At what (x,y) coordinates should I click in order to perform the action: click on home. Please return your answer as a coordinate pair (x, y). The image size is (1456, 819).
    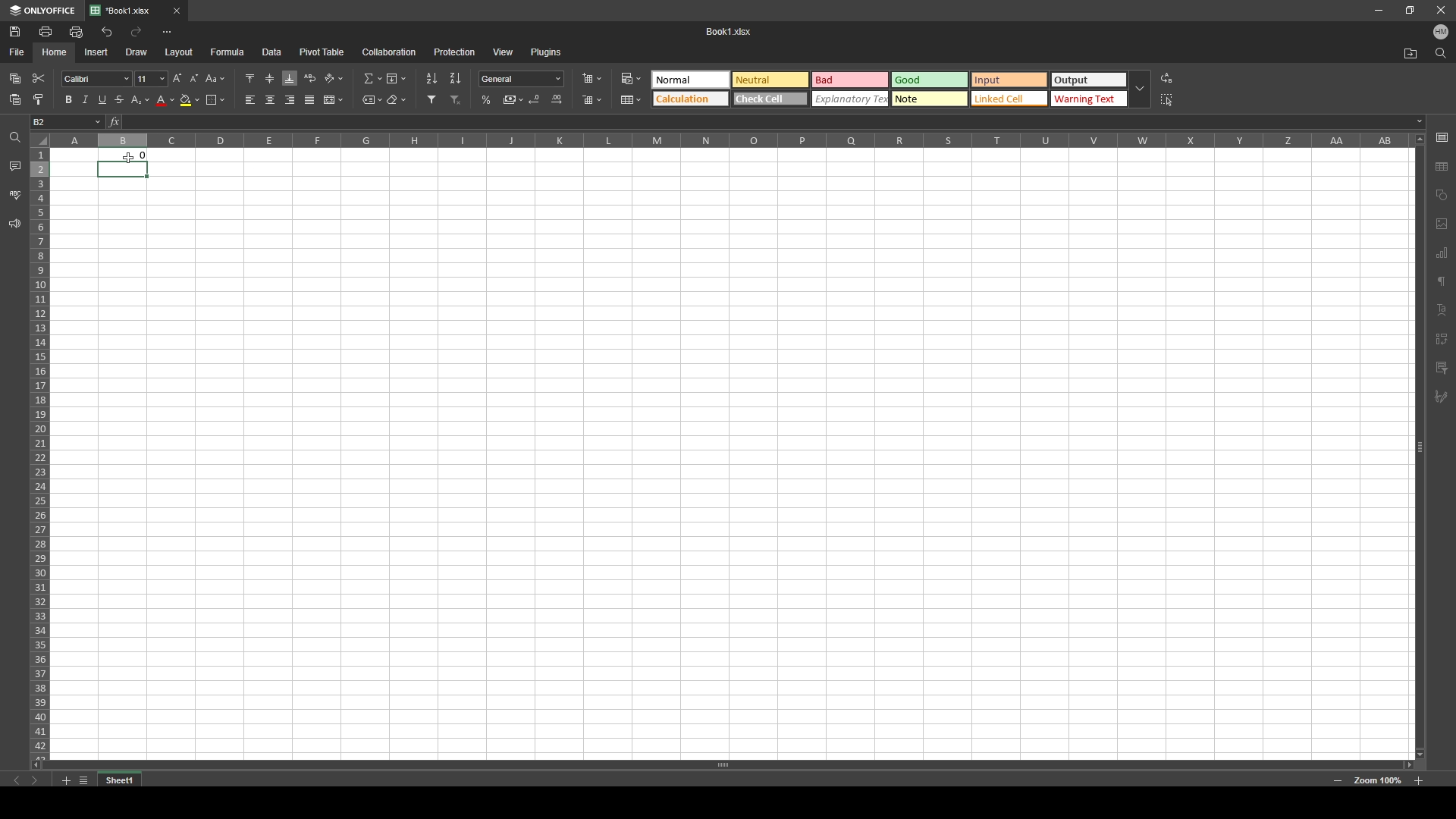
    Looking at the image, I should click on (56, 52).